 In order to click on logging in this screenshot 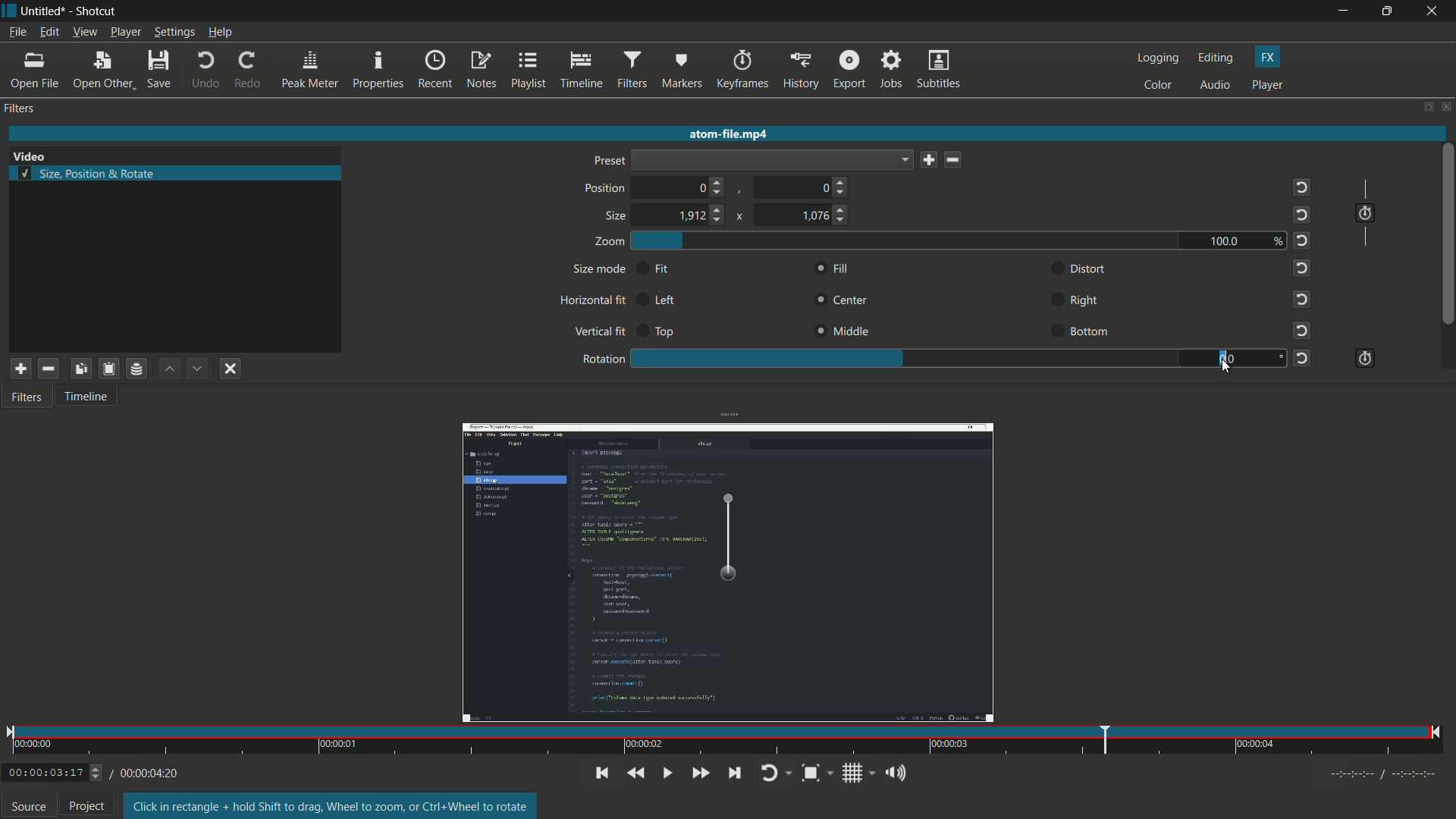, I will do `click(1159, 58)`.